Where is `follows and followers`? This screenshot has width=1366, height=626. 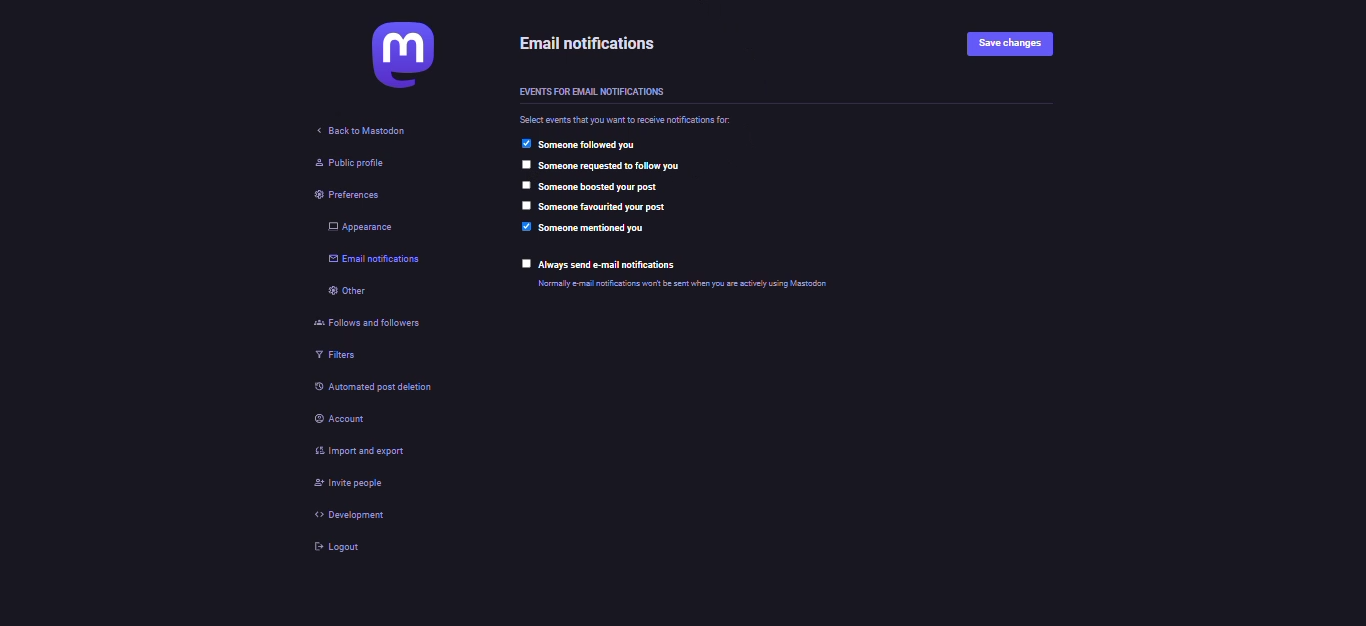
follows and followers is located at coordinates (363, 326).